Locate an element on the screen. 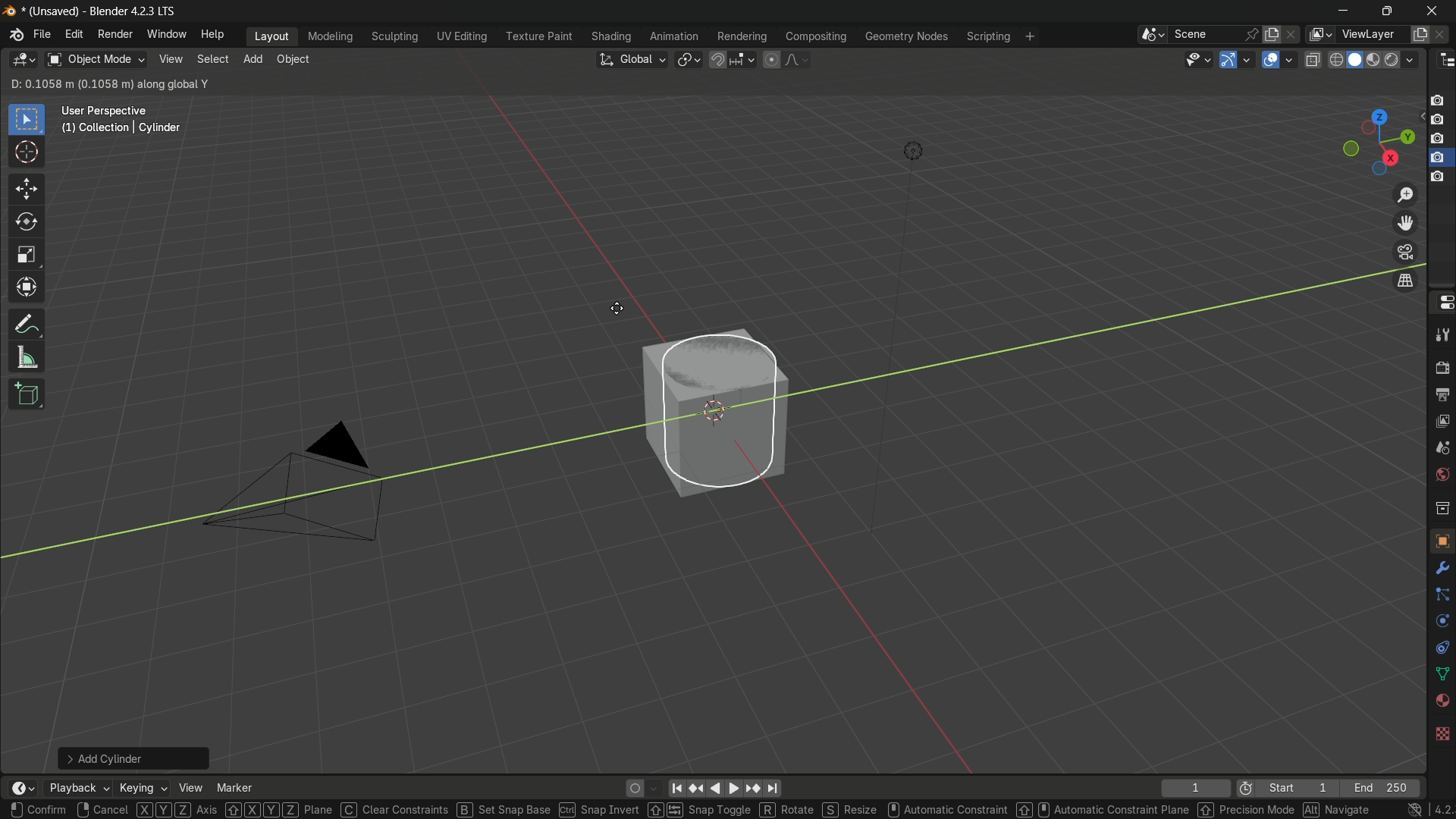 The width and height of the screenshot is (1456, 819). material preview is located at coordinates (1376, 61).